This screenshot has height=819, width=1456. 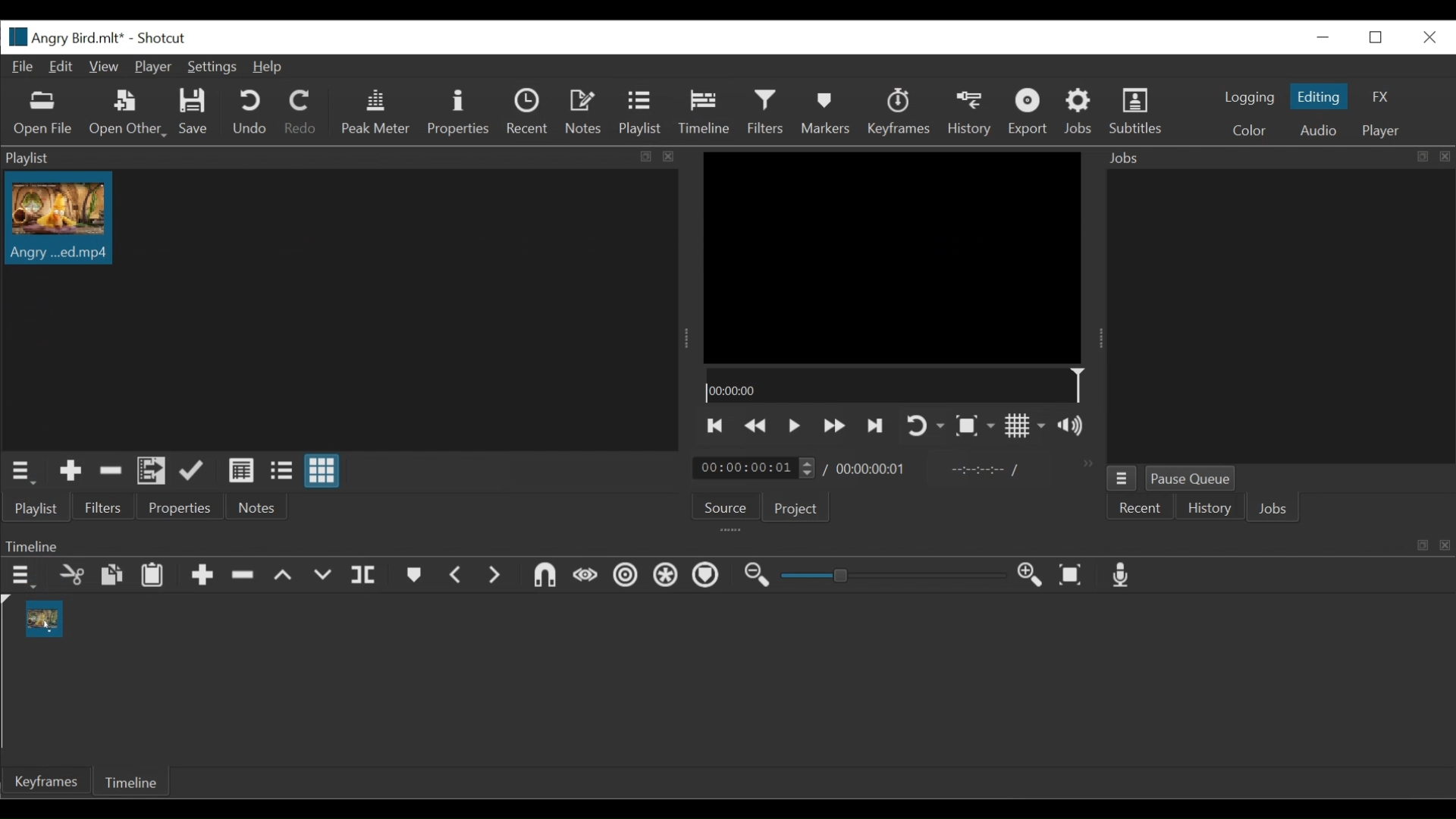 I want to click on Notes, so click(x=583, y=111).